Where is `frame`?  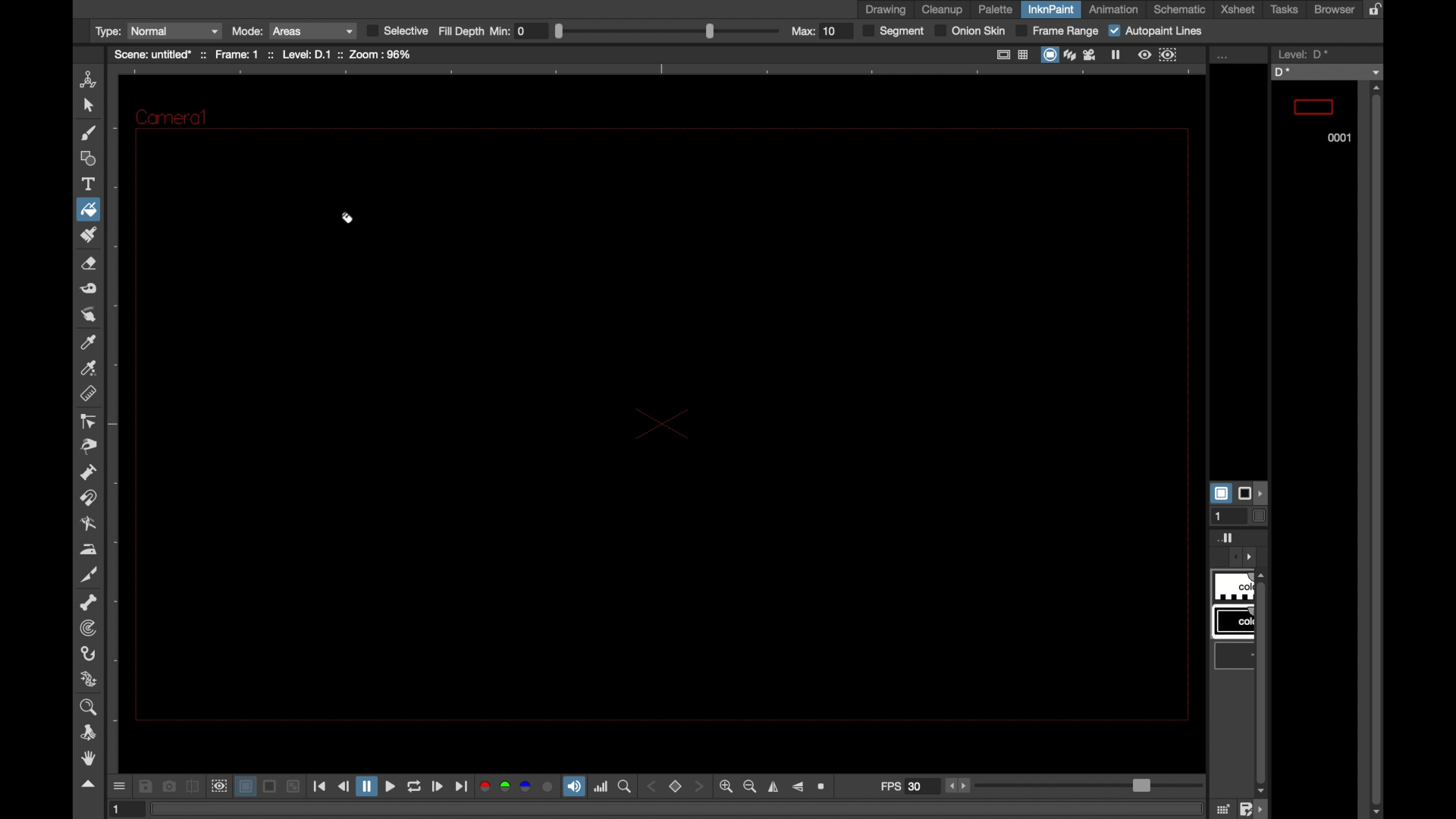 frame is located at coordinates (1169, 55).